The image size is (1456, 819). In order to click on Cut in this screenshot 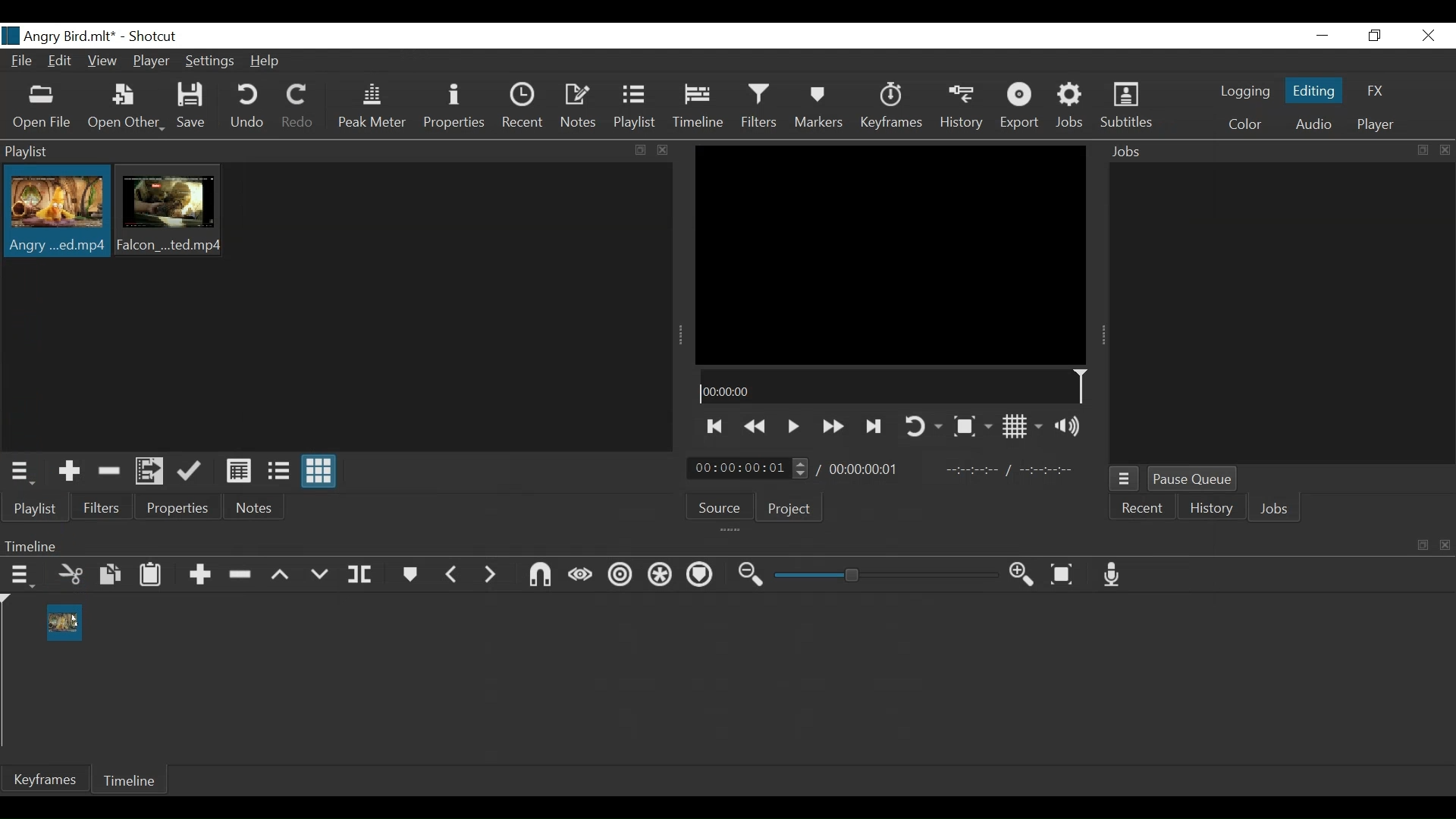, I will do `click(71, 574)`.